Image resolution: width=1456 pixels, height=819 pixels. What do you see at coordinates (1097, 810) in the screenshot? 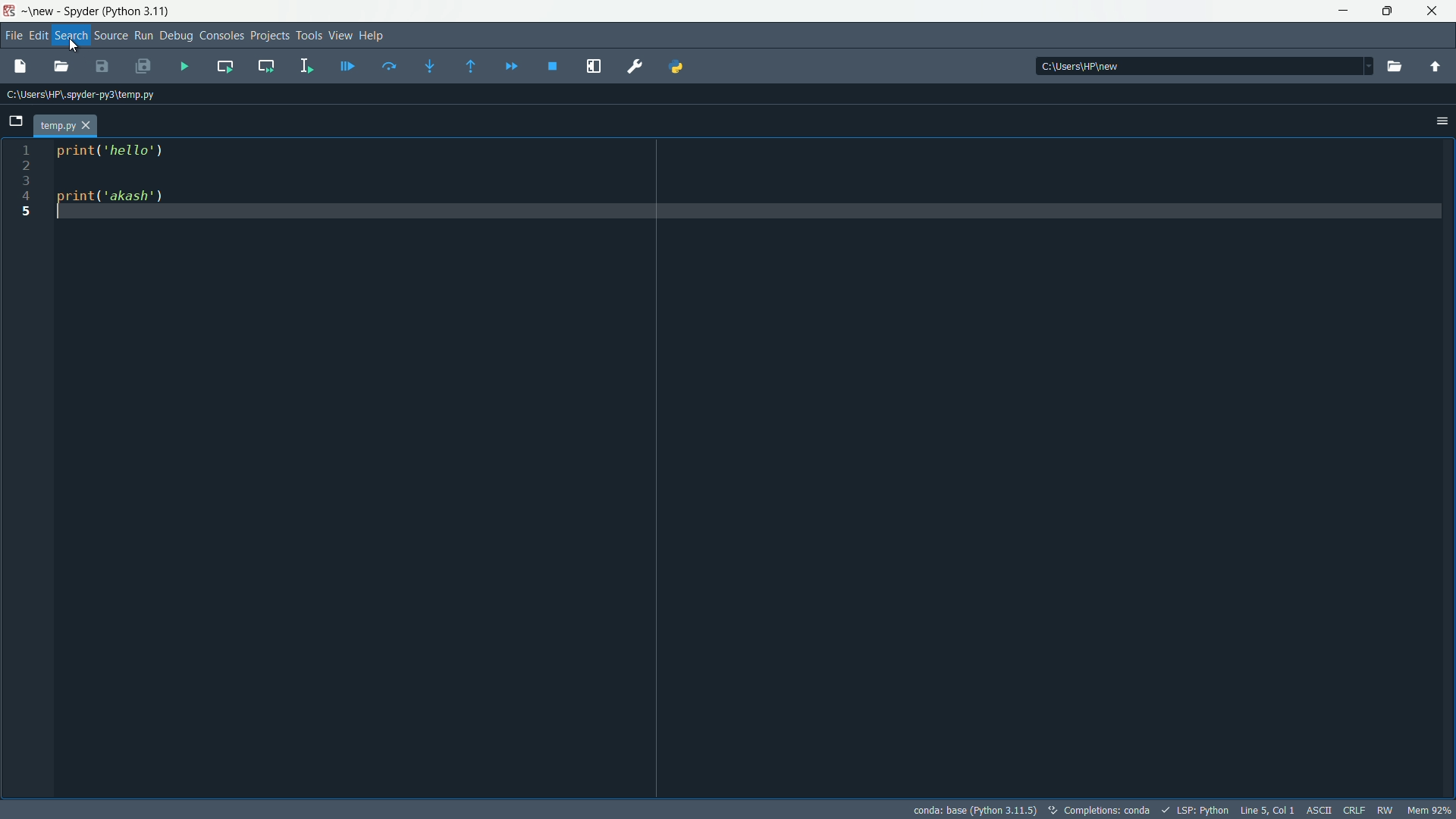
I see `text` at bounding box center [1097, 810].